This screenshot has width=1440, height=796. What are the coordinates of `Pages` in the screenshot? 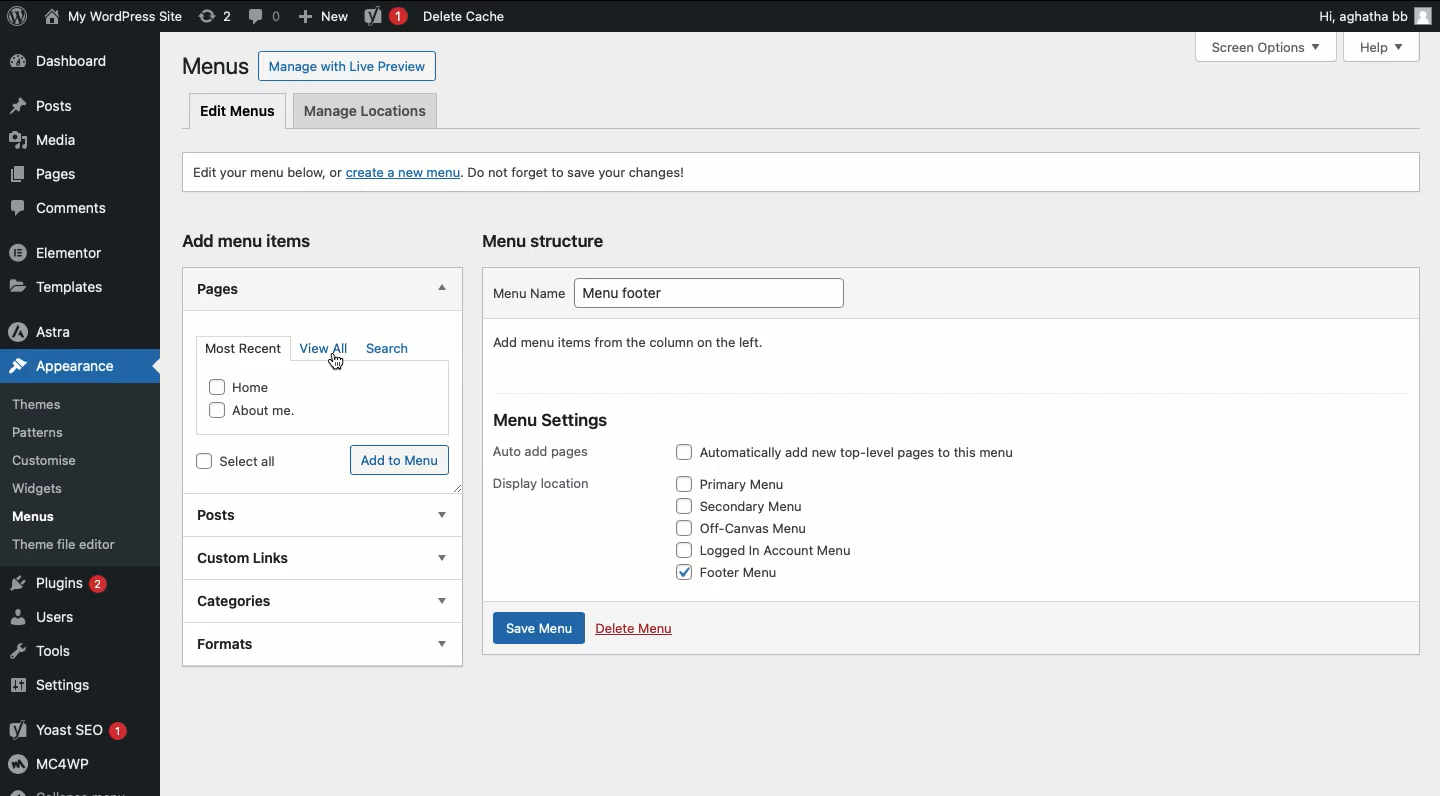 It's located at (43, 179).